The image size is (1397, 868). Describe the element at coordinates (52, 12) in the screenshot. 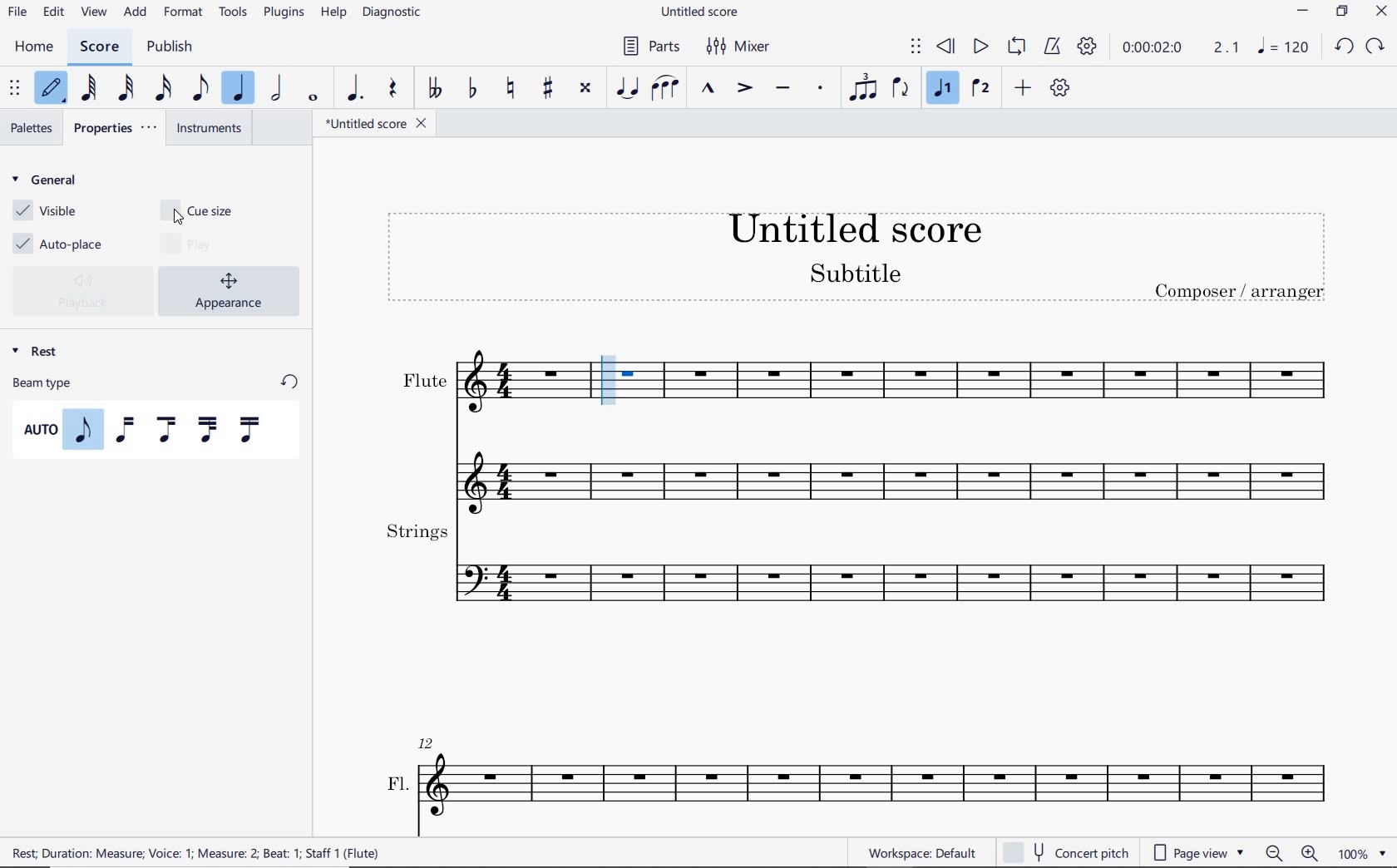

I see `edit` at that location.